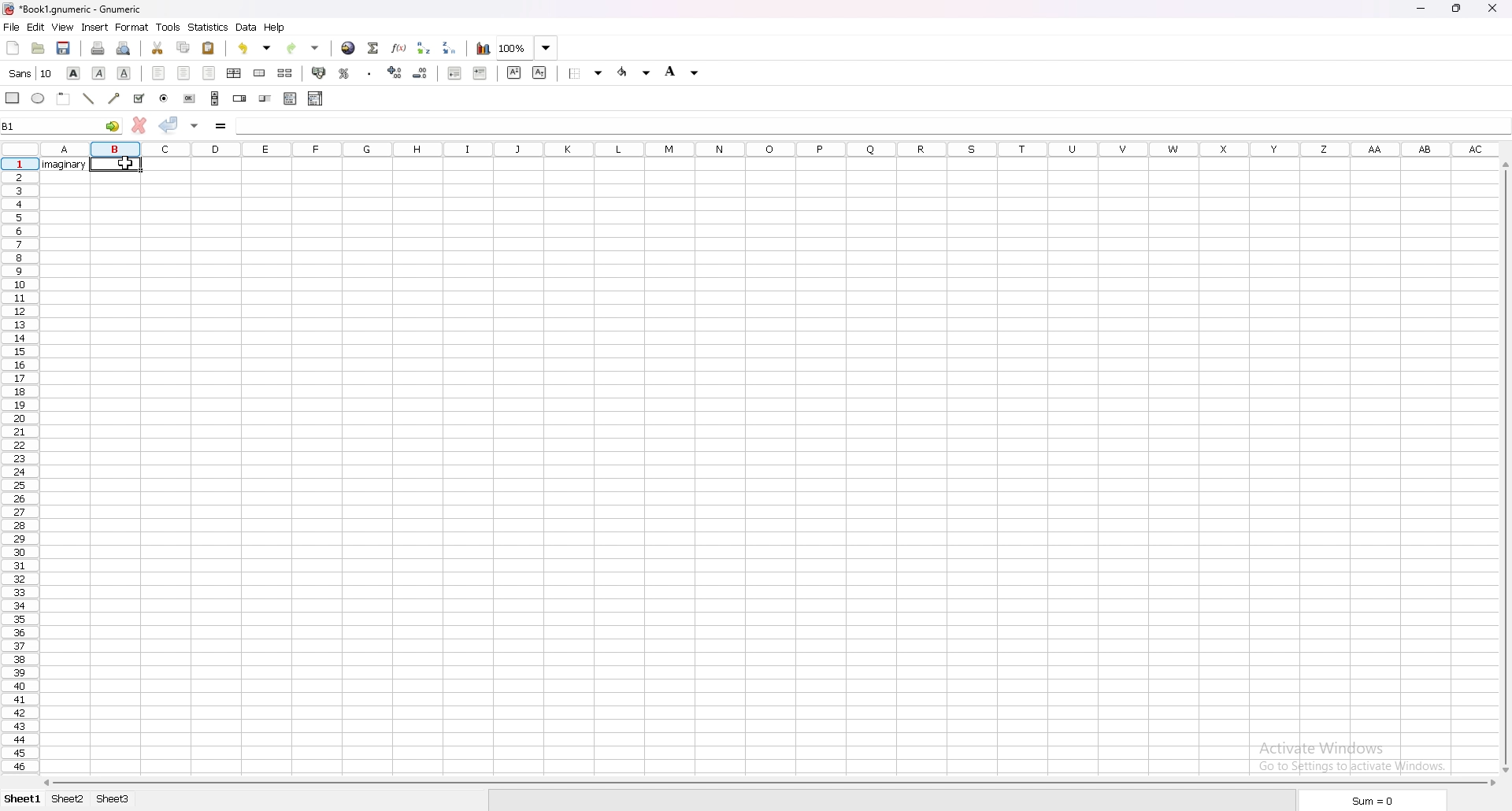 This screenshot has height=811, width=1512. I want to click on left align, so click(158, 72).